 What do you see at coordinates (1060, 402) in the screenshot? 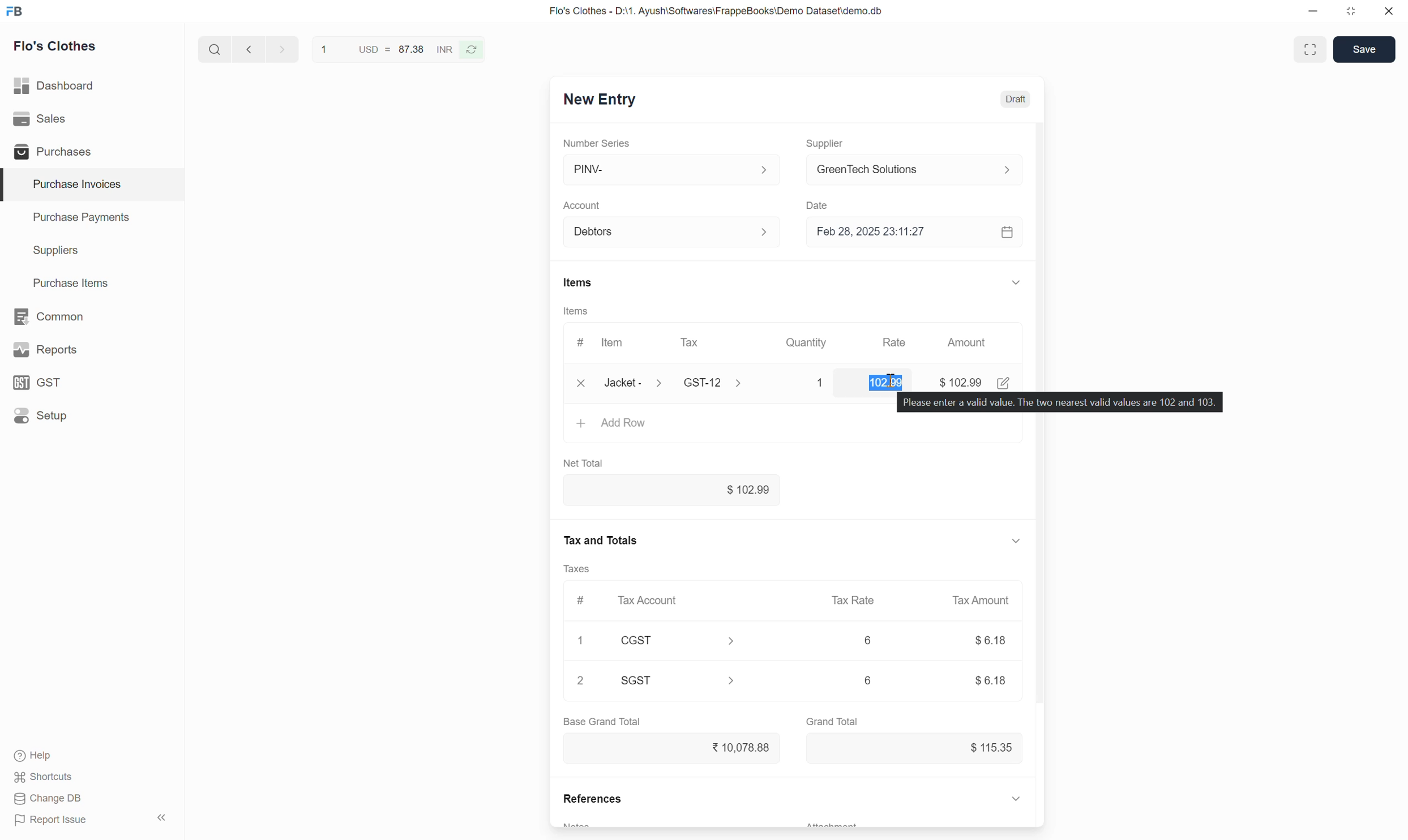
I see `Please enter a valid value. The two nearest valid values are 102 and 103.` at bounding box center [1060, 402].